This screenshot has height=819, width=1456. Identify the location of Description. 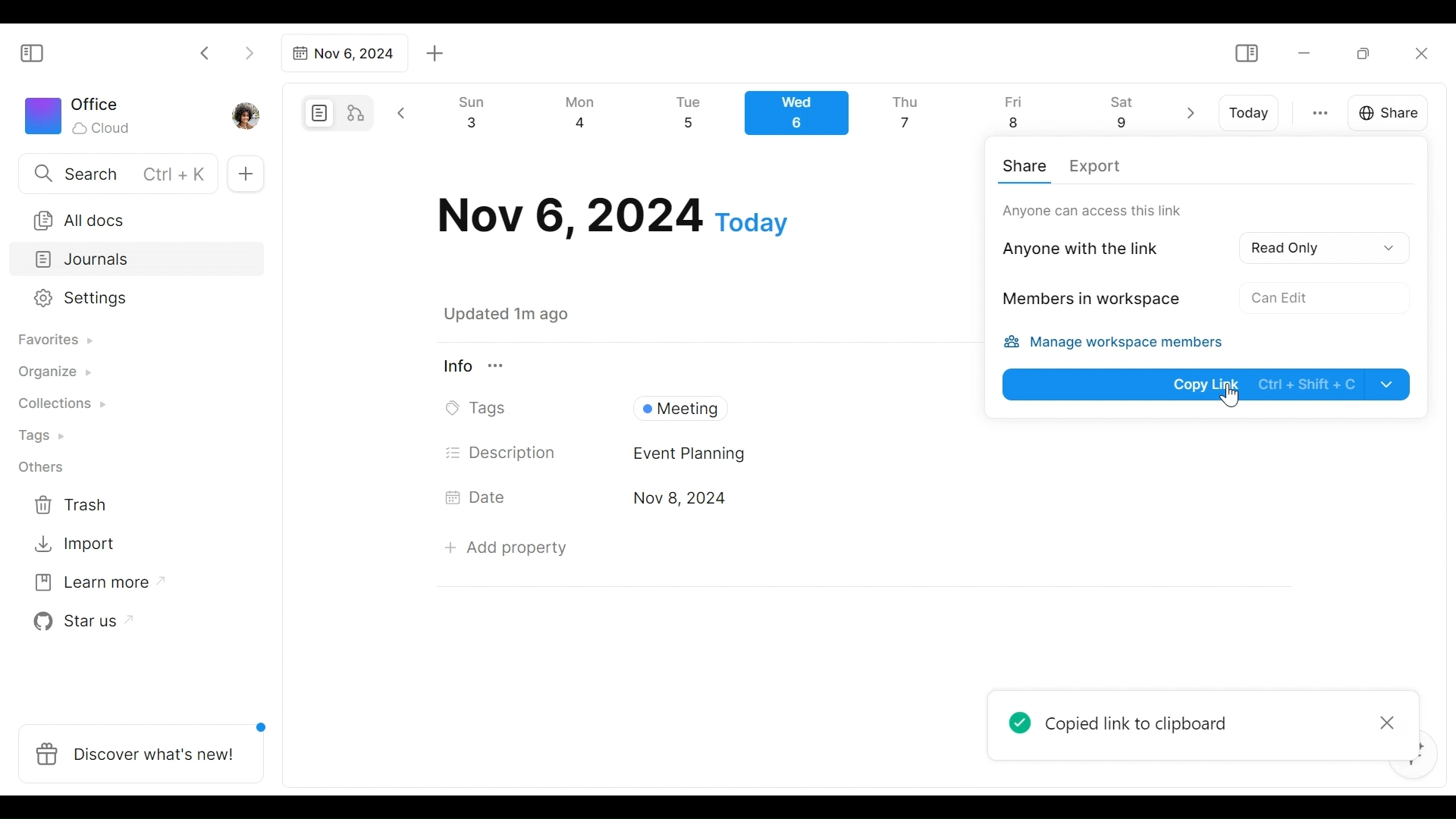
(502, 453).